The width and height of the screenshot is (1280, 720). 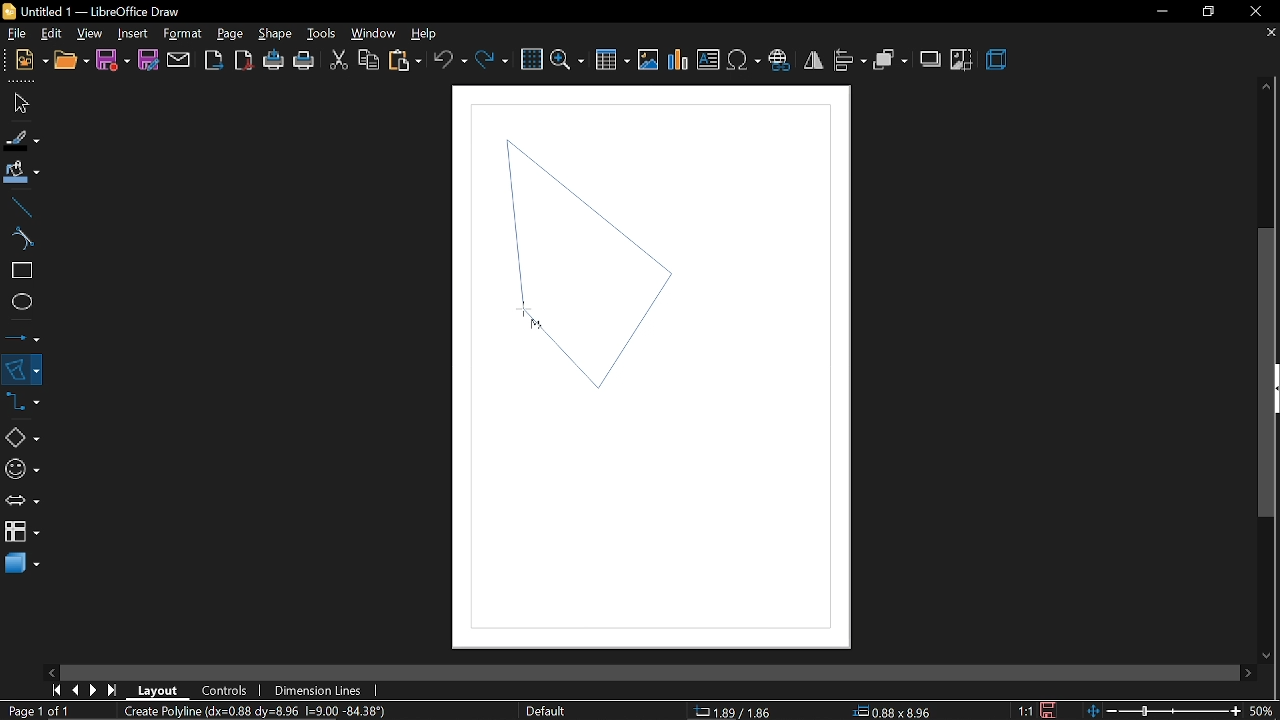 What do you see at coordinates (158, 689) in the screenshot?
I see `layout` at bounding box center [158, 689].